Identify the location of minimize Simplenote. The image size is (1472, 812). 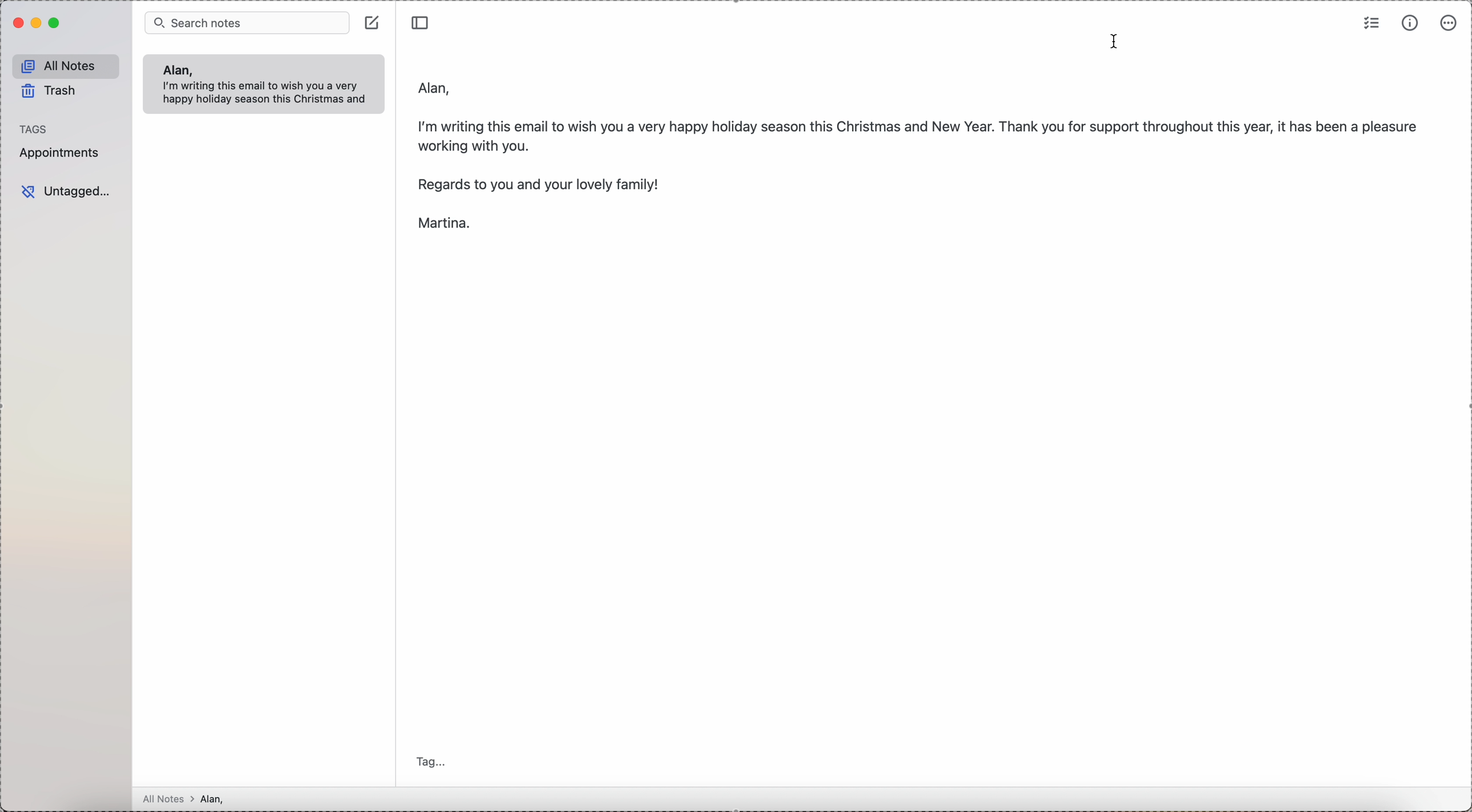
(38, 23).